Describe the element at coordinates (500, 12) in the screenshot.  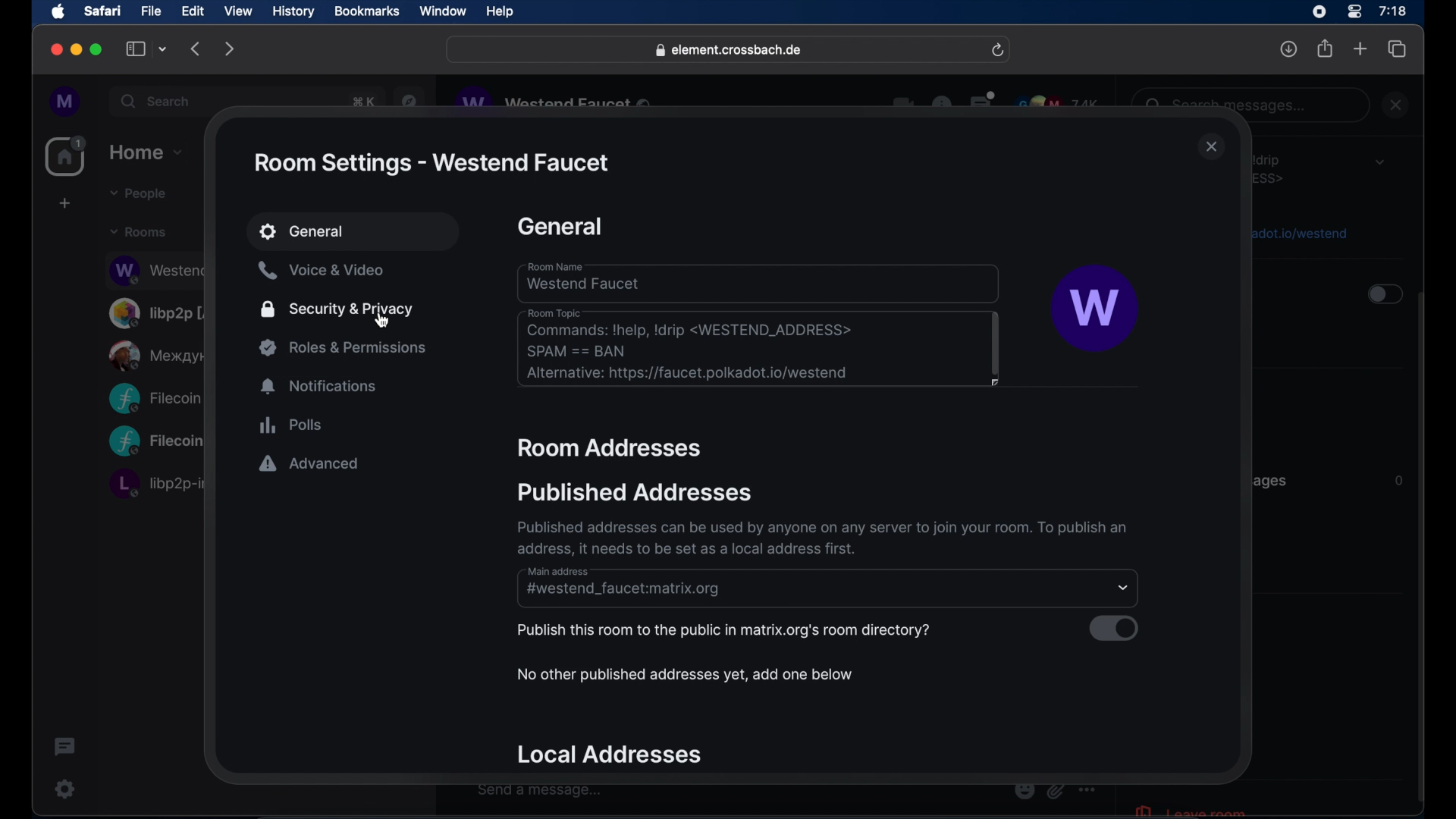
I see `help` at that location.